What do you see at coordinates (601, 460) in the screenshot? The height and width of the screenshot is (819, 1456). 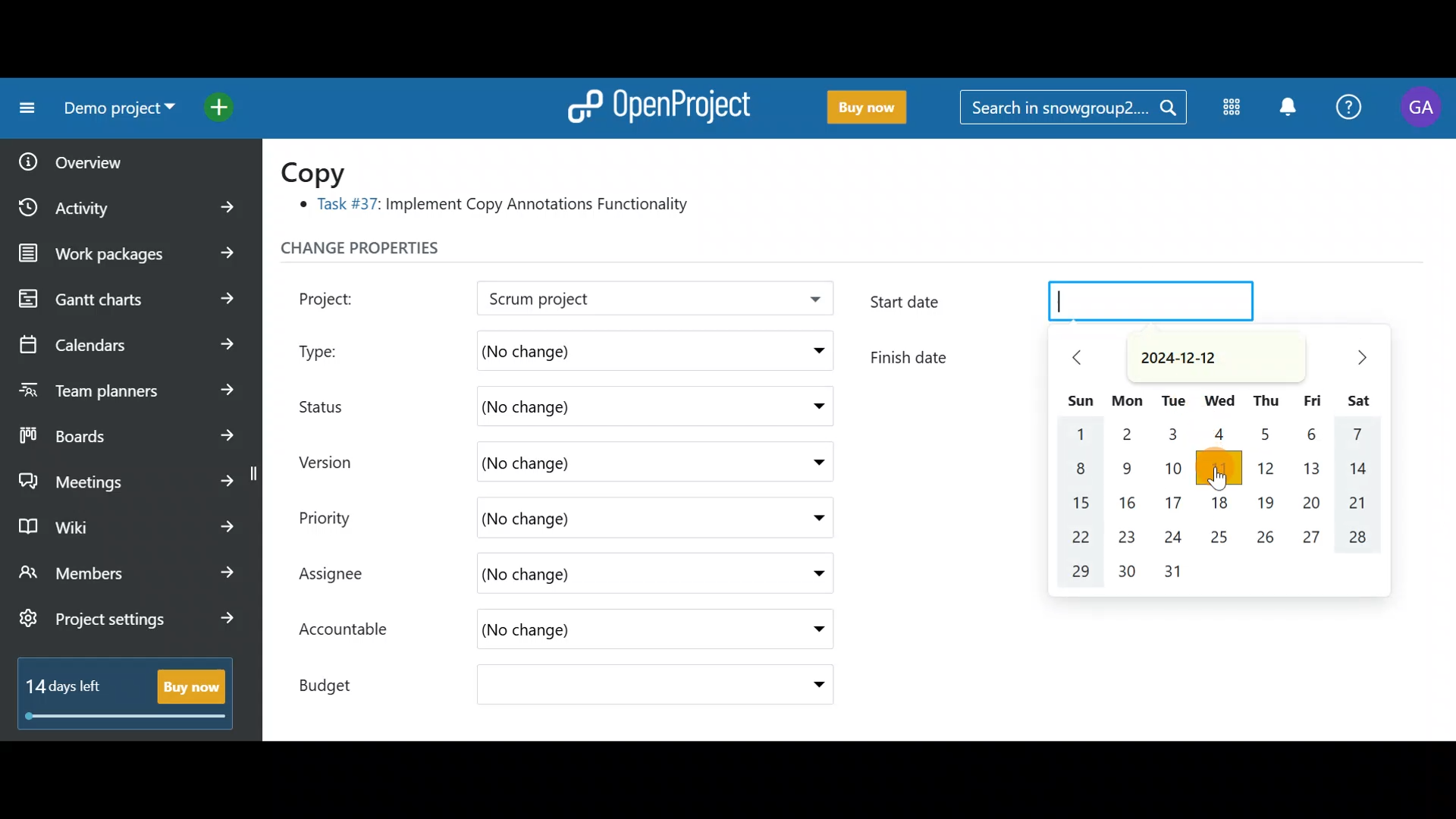 I see `(No change)` at bounding box center [601, 460].